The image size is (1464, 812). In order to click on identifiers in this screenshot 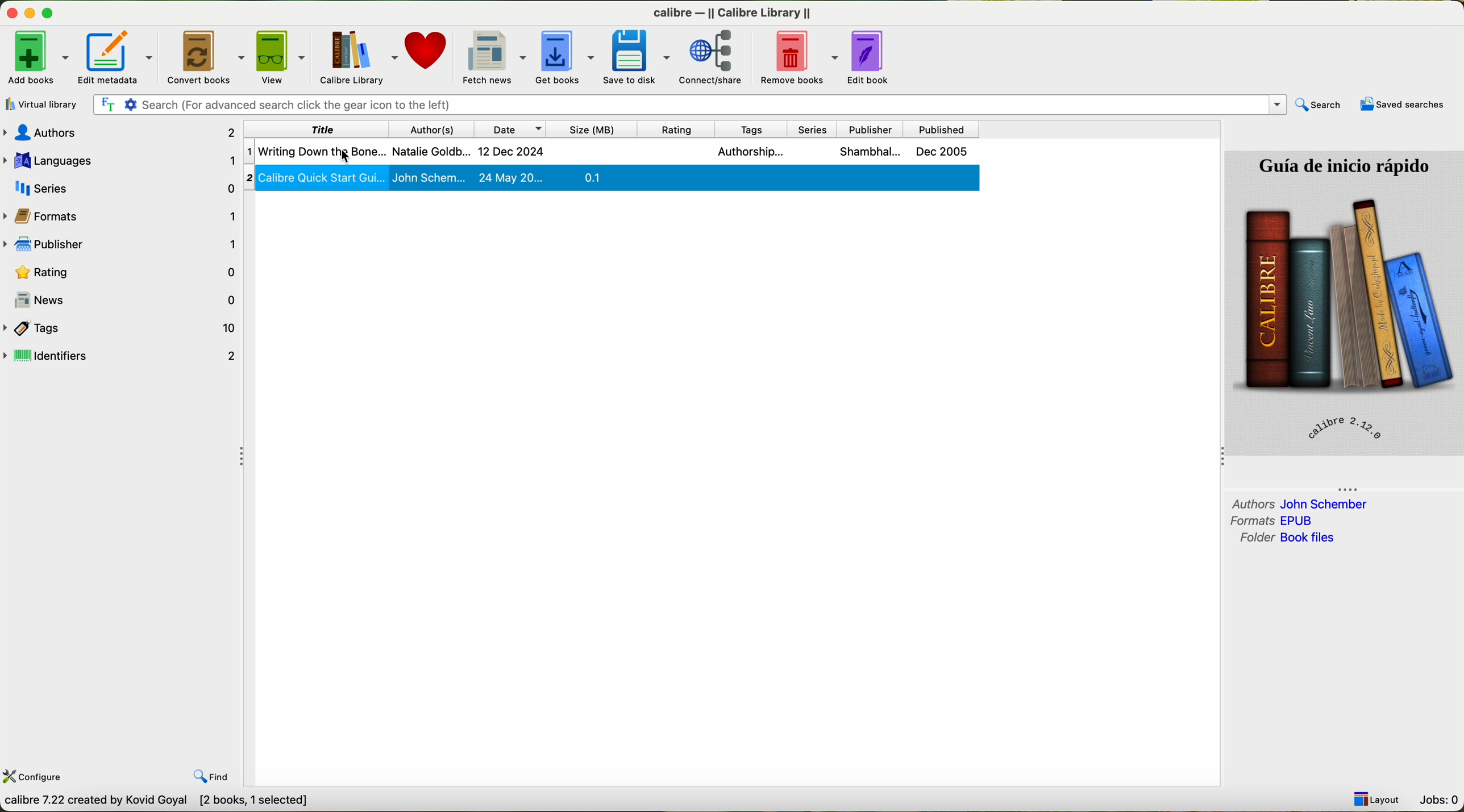, I will do `click(123, 356)`.